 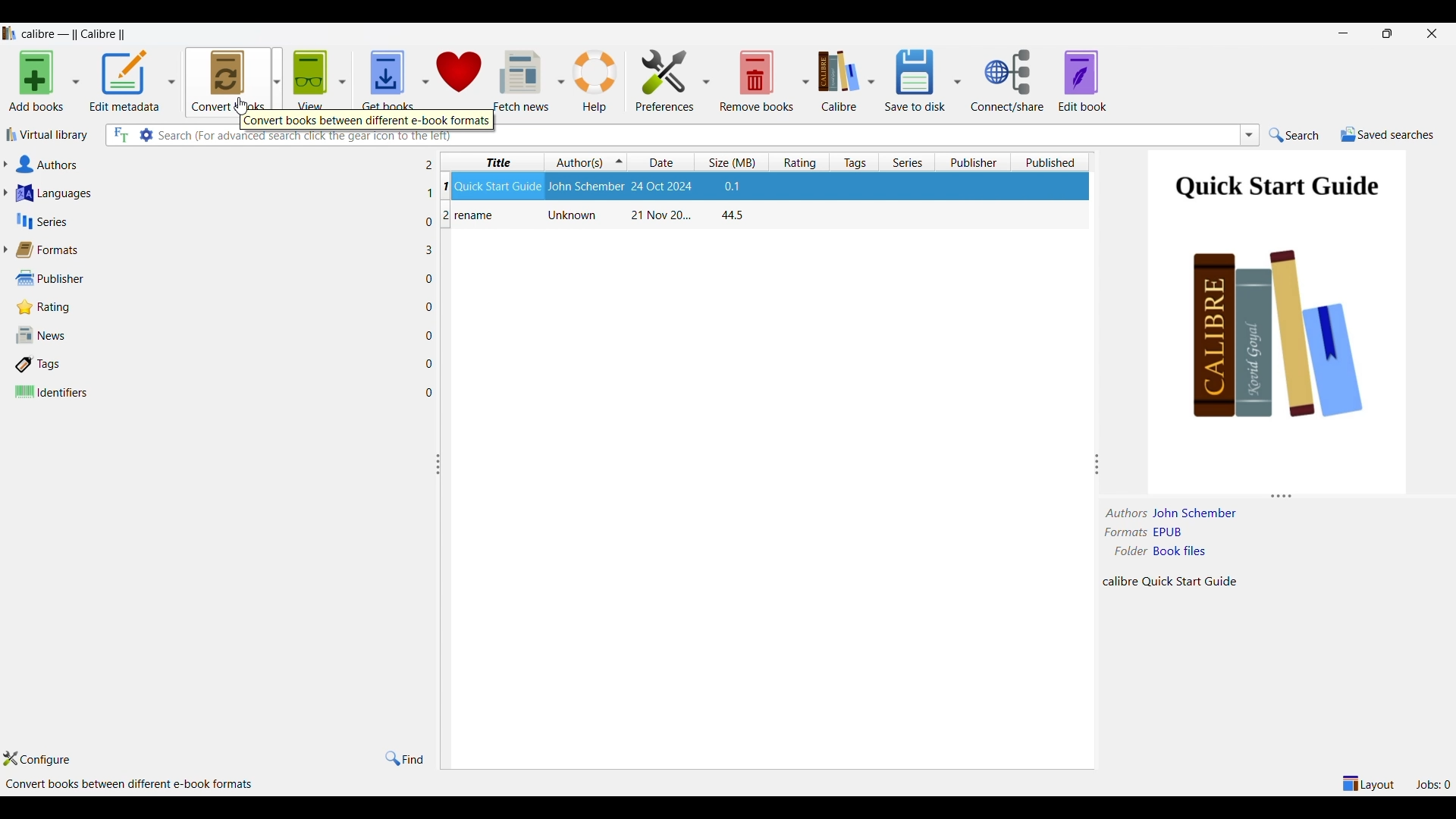 I want to click on Edit metadata, so click(x=125, y=82).